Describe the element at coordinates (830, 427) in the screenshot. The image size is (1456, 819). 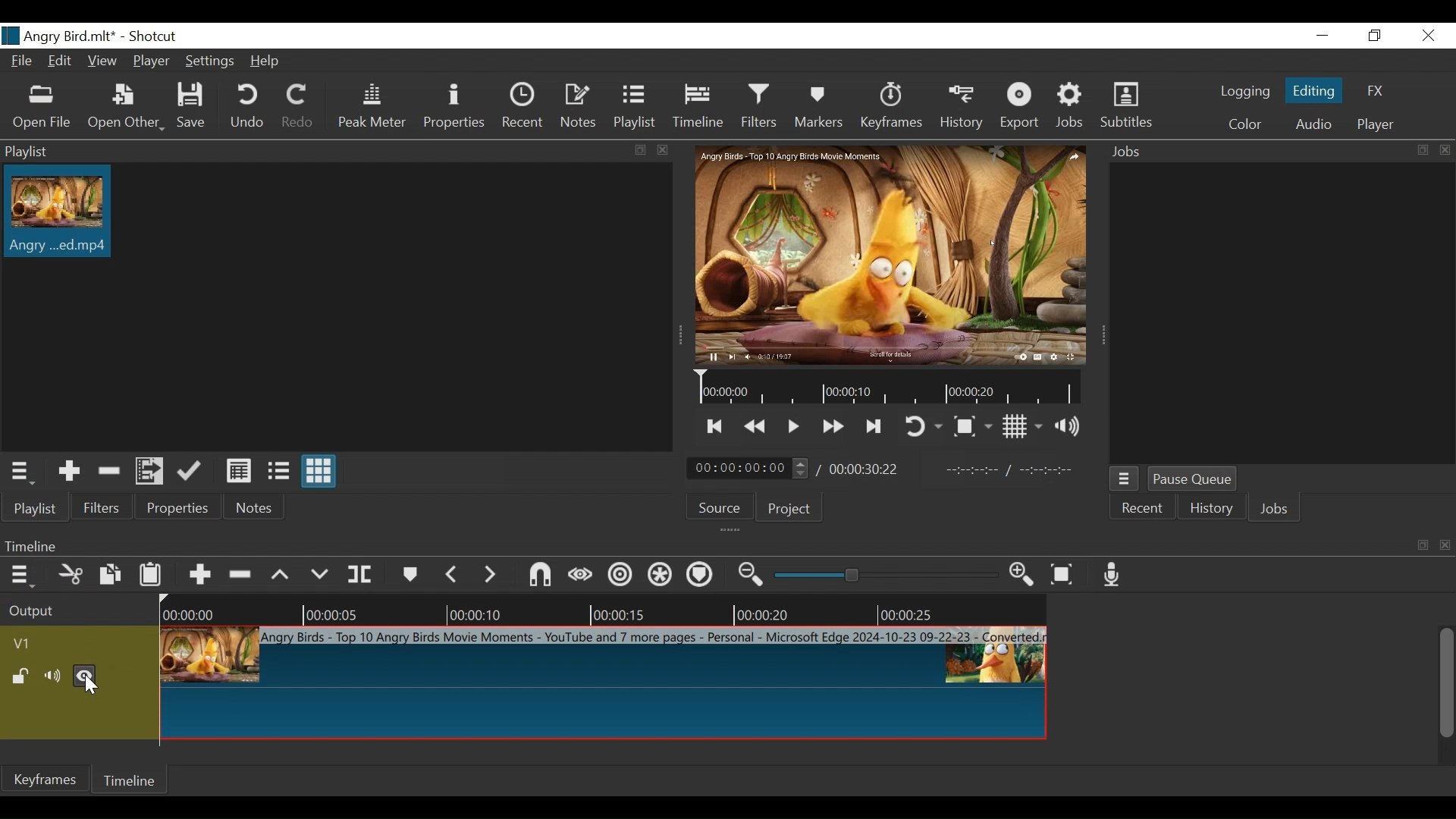
I see `Play quickly forward` at that location.